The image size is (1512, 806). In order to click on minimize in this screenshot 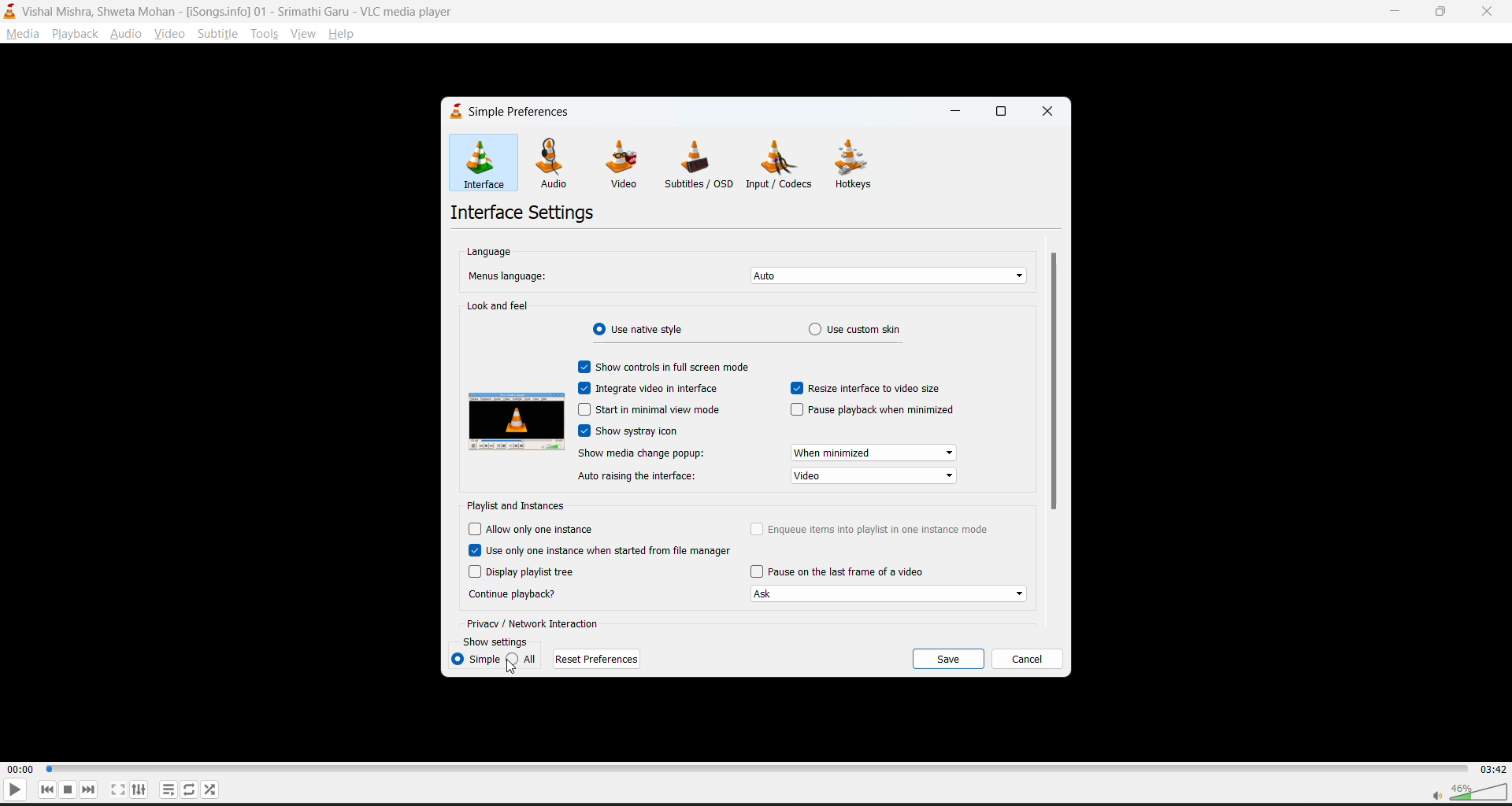, I will do `click(1396, 12)`.